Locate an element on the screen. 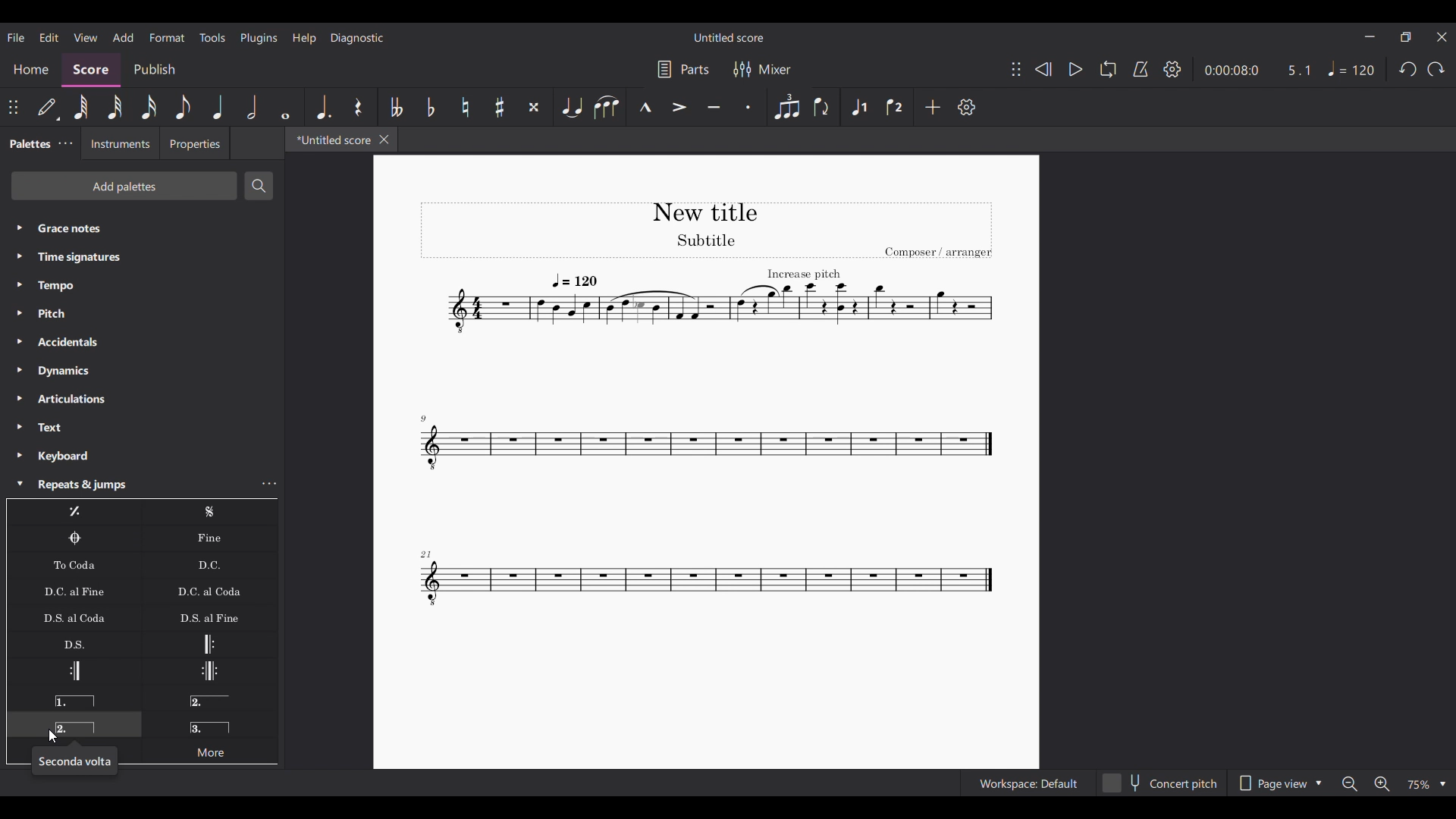  Current duration is located at coordinates (1231, 71).